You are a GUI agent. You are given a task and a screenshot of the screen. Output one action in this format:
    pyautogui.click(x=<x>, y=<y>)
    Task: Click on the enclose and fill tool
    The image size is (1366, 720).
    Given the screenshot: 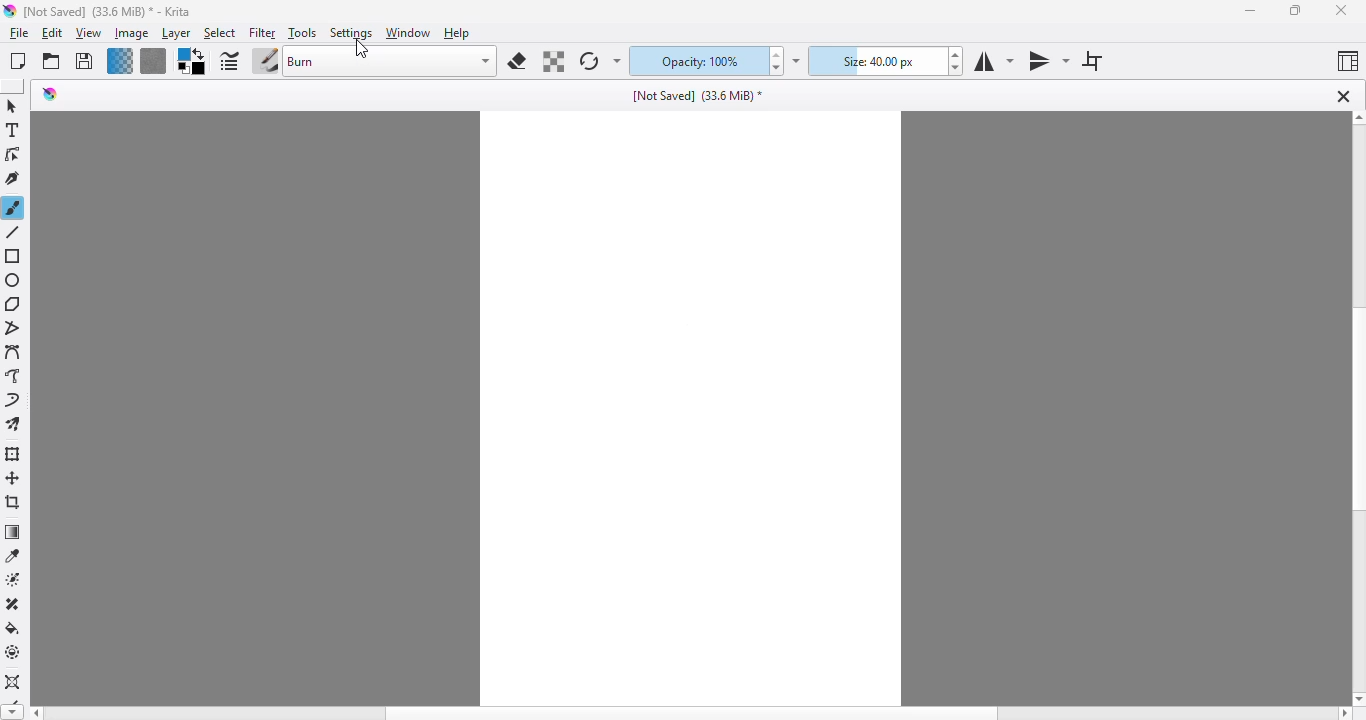 What is the action you would take?
    pyautogui.click(x=13, y=652)
    